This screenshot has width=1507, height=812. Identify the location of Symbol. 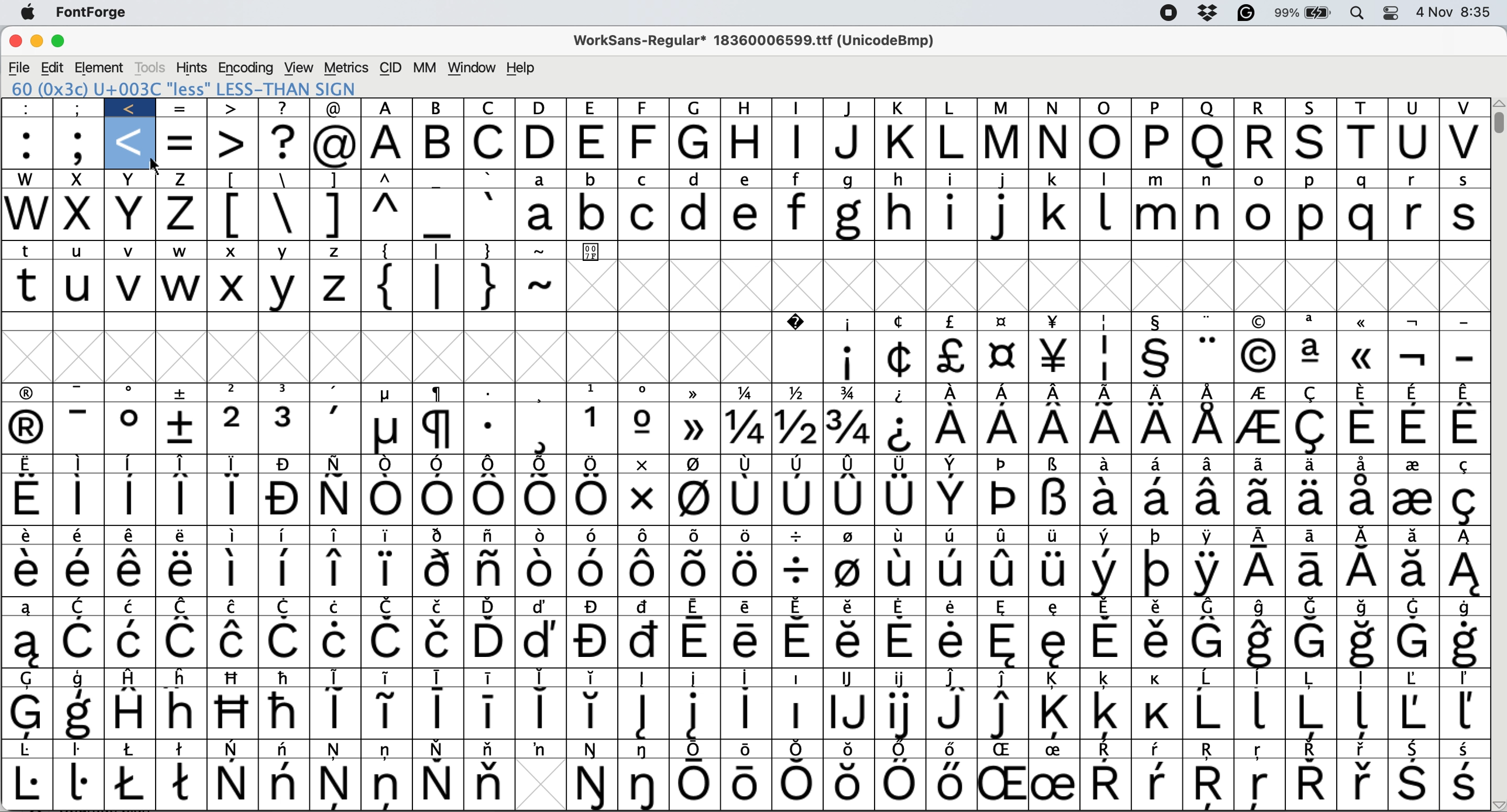
(1107, 500).